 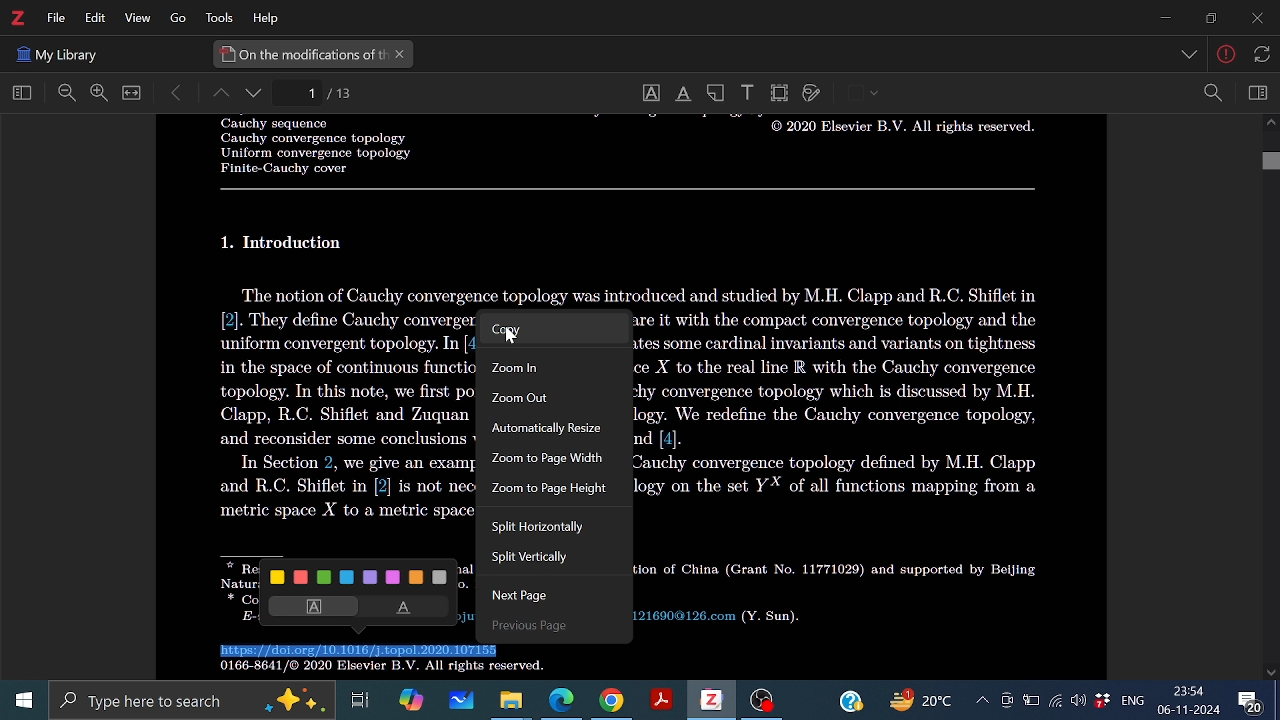 I want to click on Speaker/Headphone, so click(x=1079, y=700).